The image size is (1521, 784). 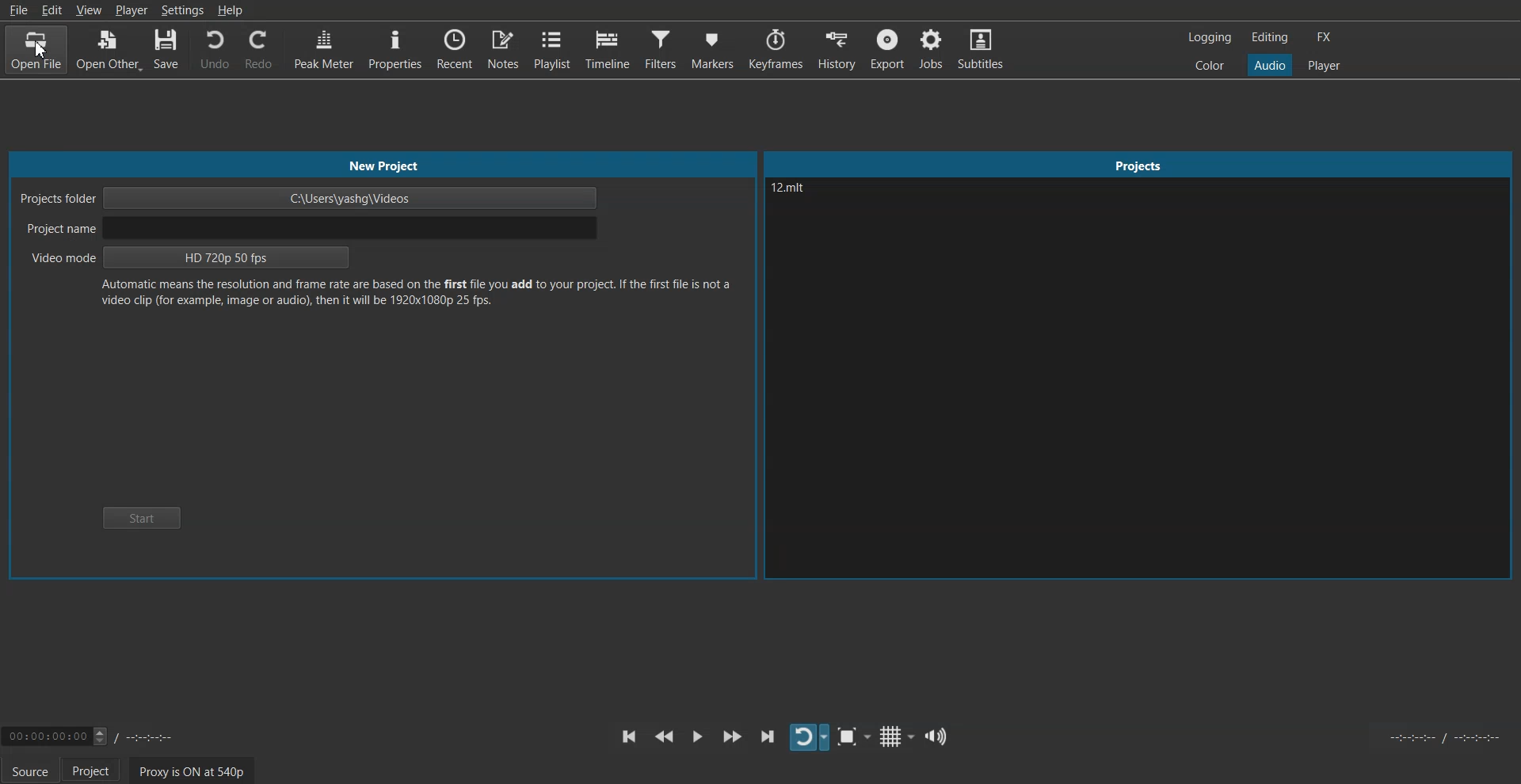 What do you see at coordinates (109, 49) in the screenshot?
I see `Open Other` at bounding box center [109, 49].